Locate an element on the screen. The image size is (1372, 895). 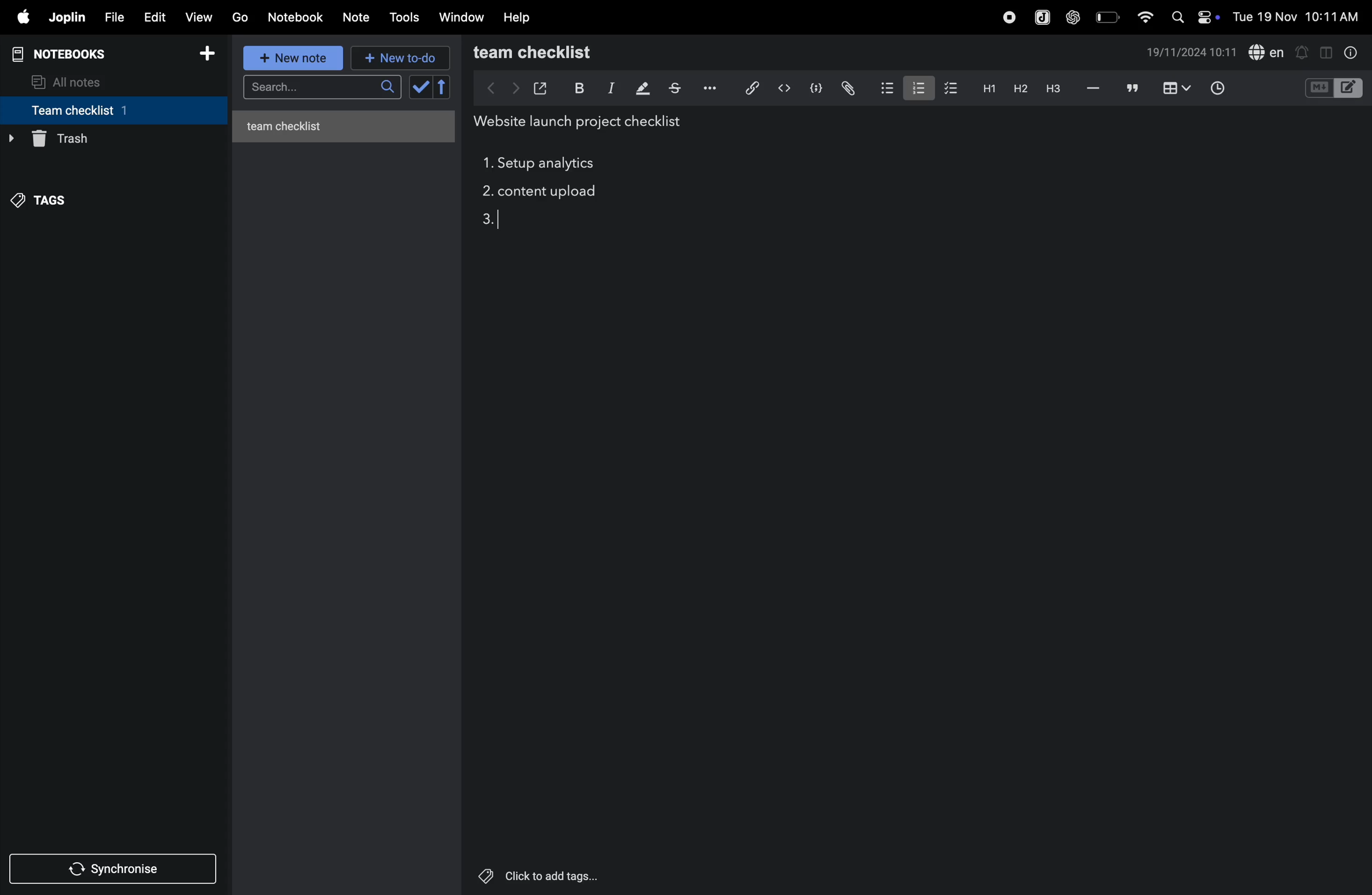
team checklist is located at coordinates (94, 110).